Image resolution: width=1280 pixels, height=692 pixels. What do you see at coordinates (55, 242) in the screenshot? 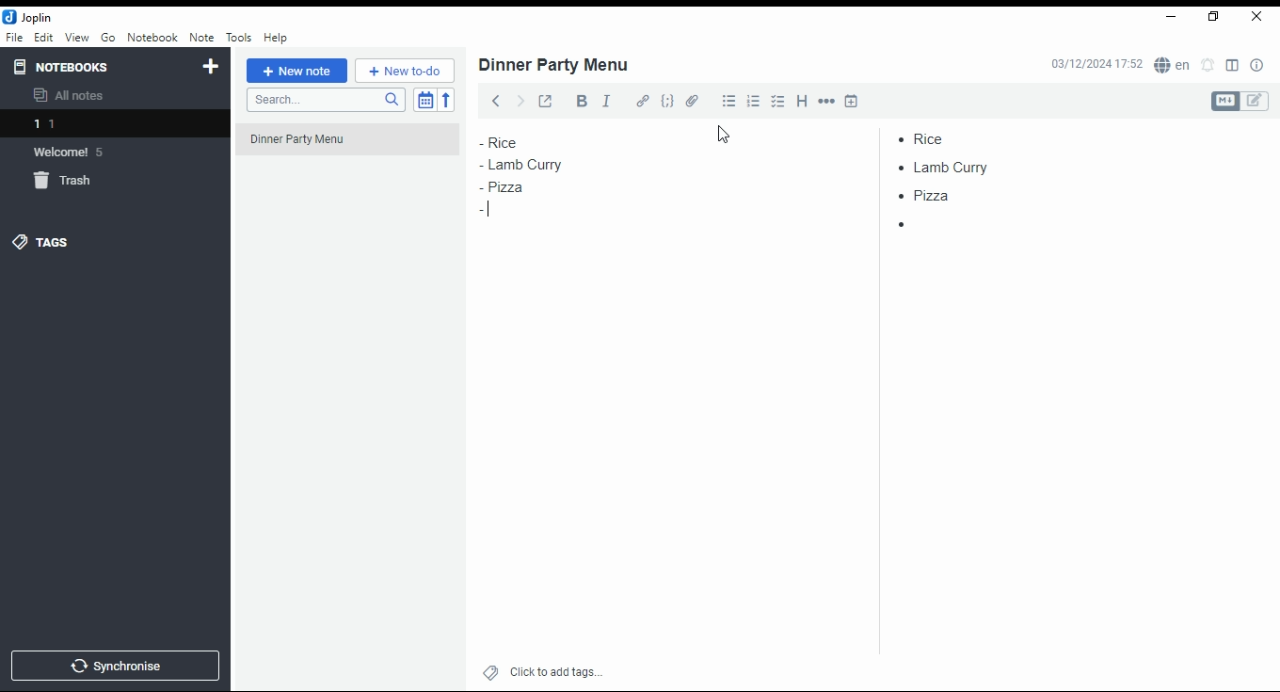
I see `tags` at bounding box center [55, 242].